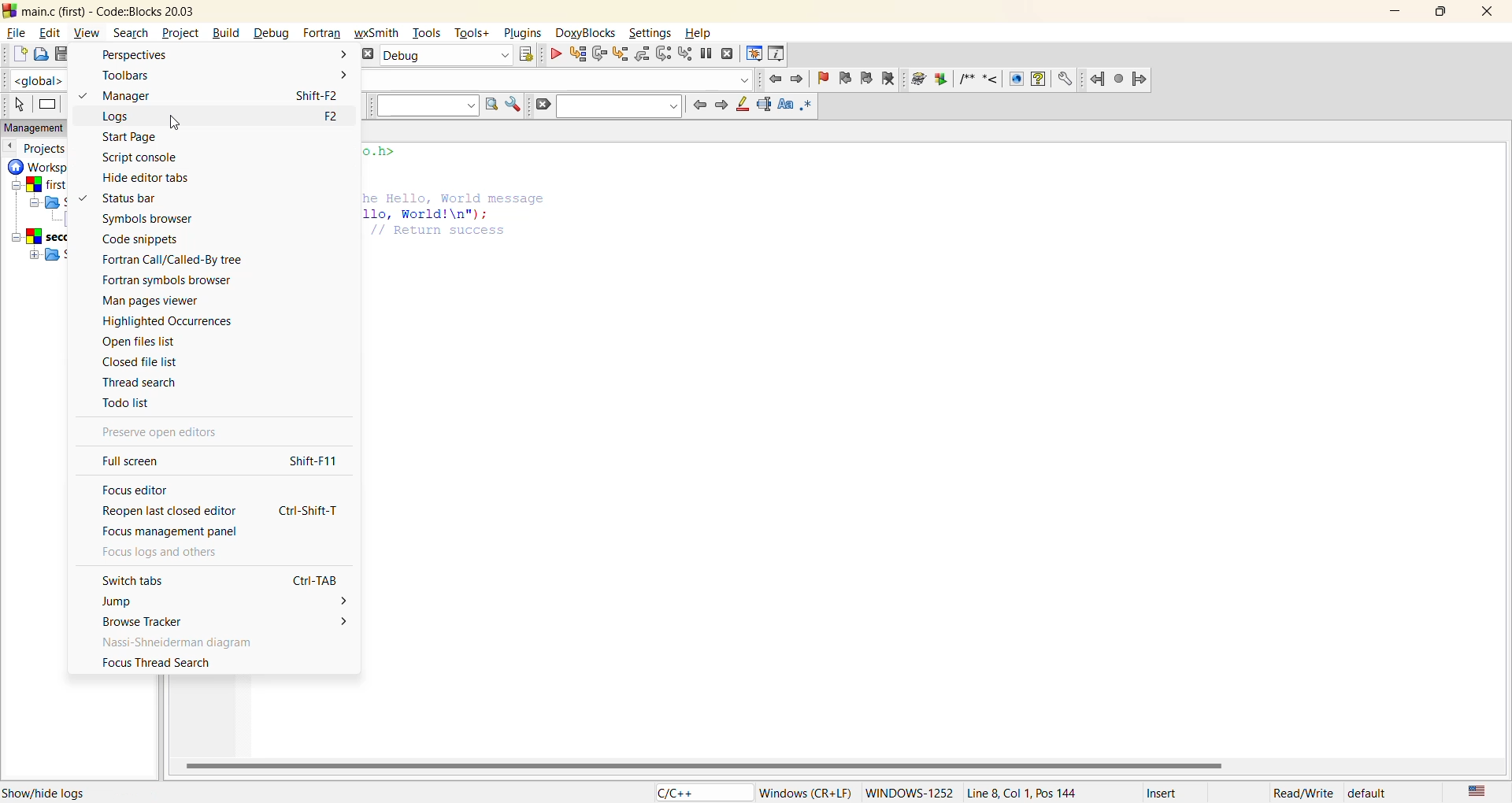  What do you see at coordinates (168, 280) in the screenshot?
I see `fortran symbols browser` at bounding box center [168, 280].